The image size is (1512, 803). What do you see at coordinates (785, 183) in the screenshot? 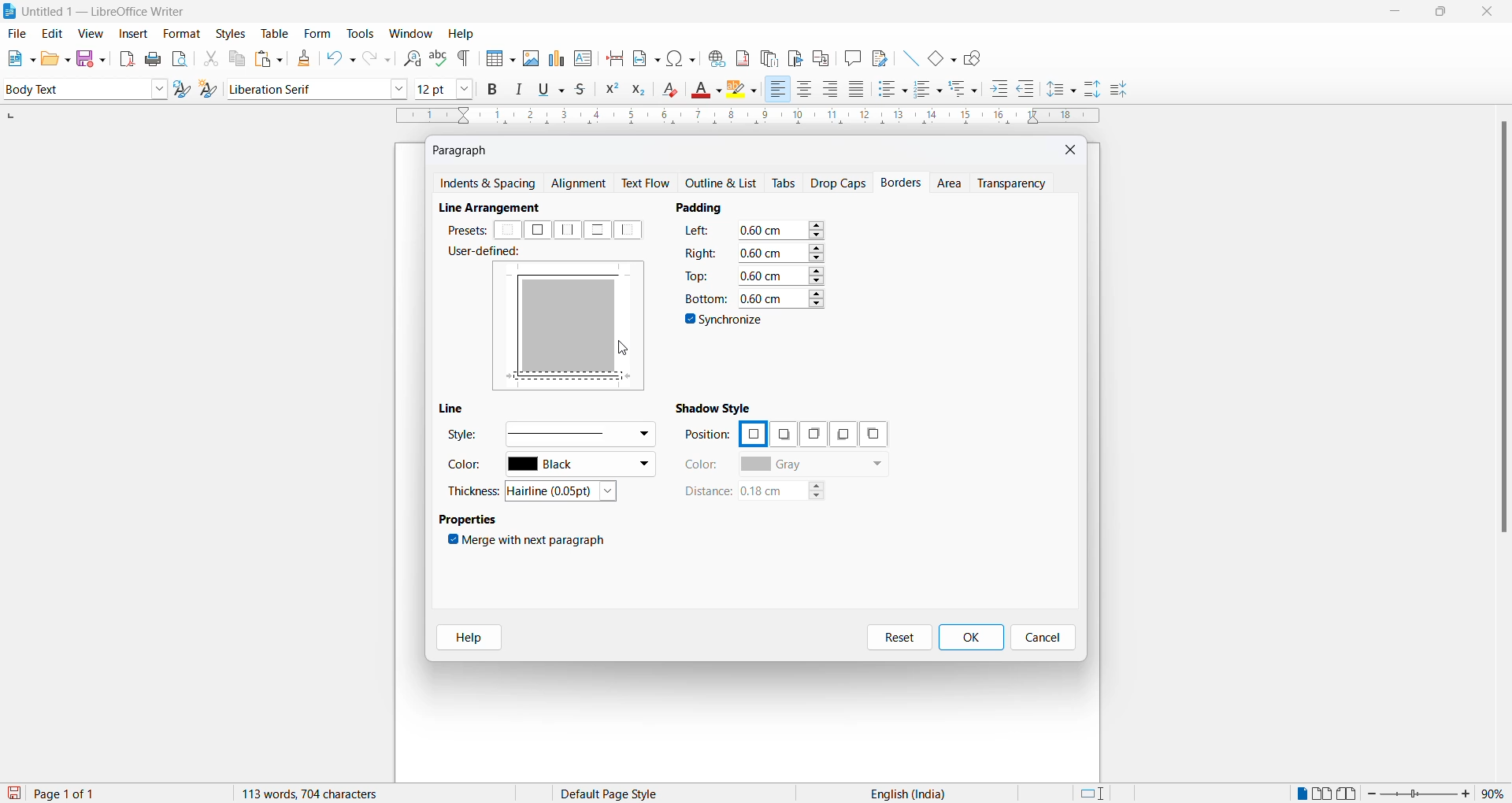
I see `tabs` at bounding box center [785, 183].